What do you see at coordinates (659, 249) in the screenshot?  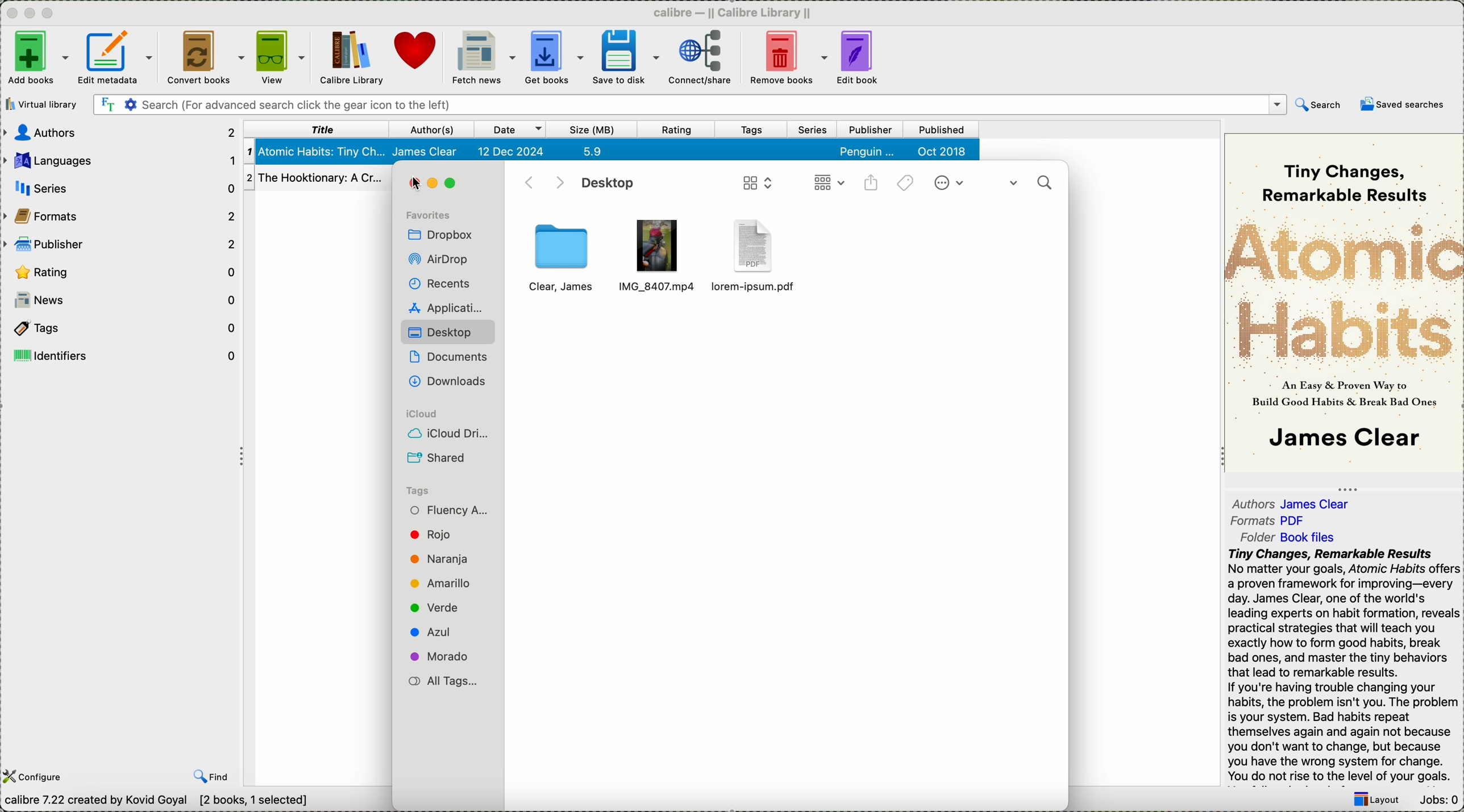 I see `file` at bounding box center [659, 249].